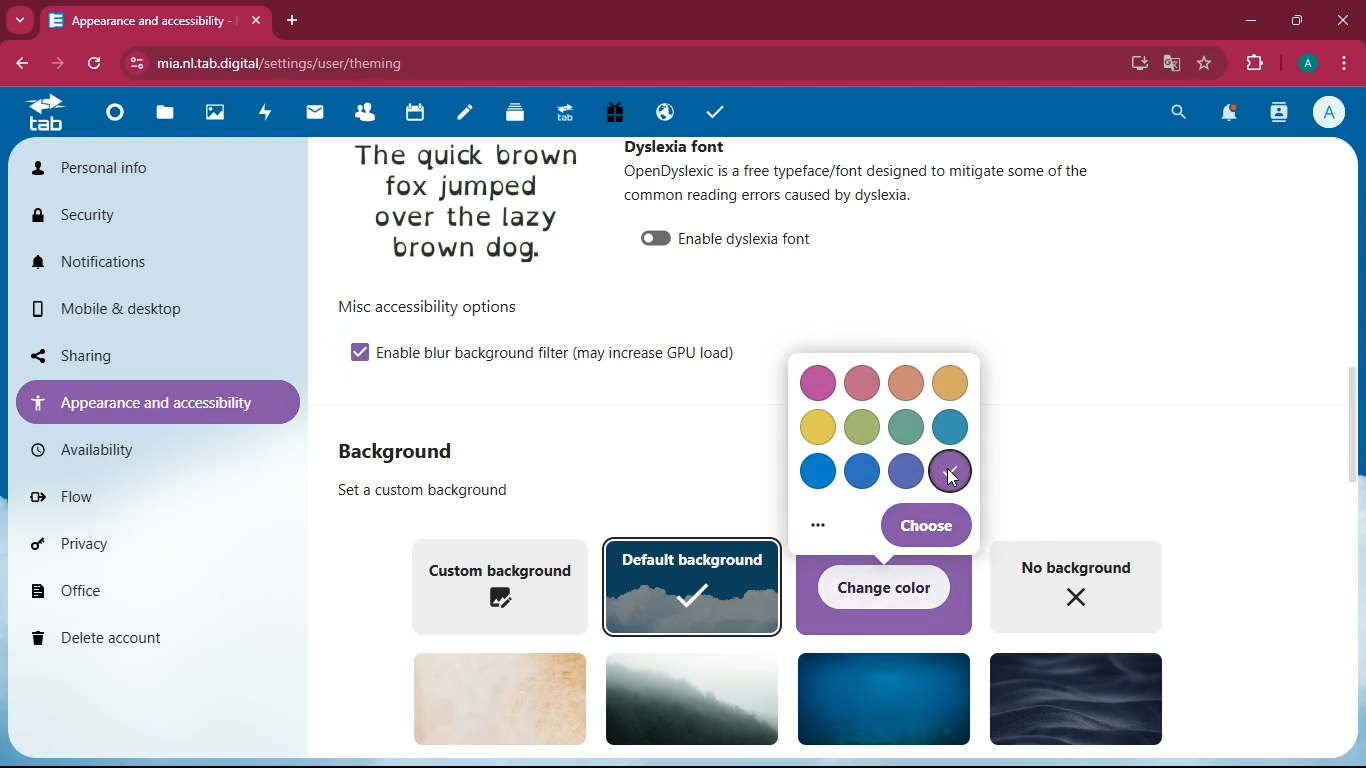 The image size is (1366, 768). I want to click on scroll bar, so click(1351, 438).